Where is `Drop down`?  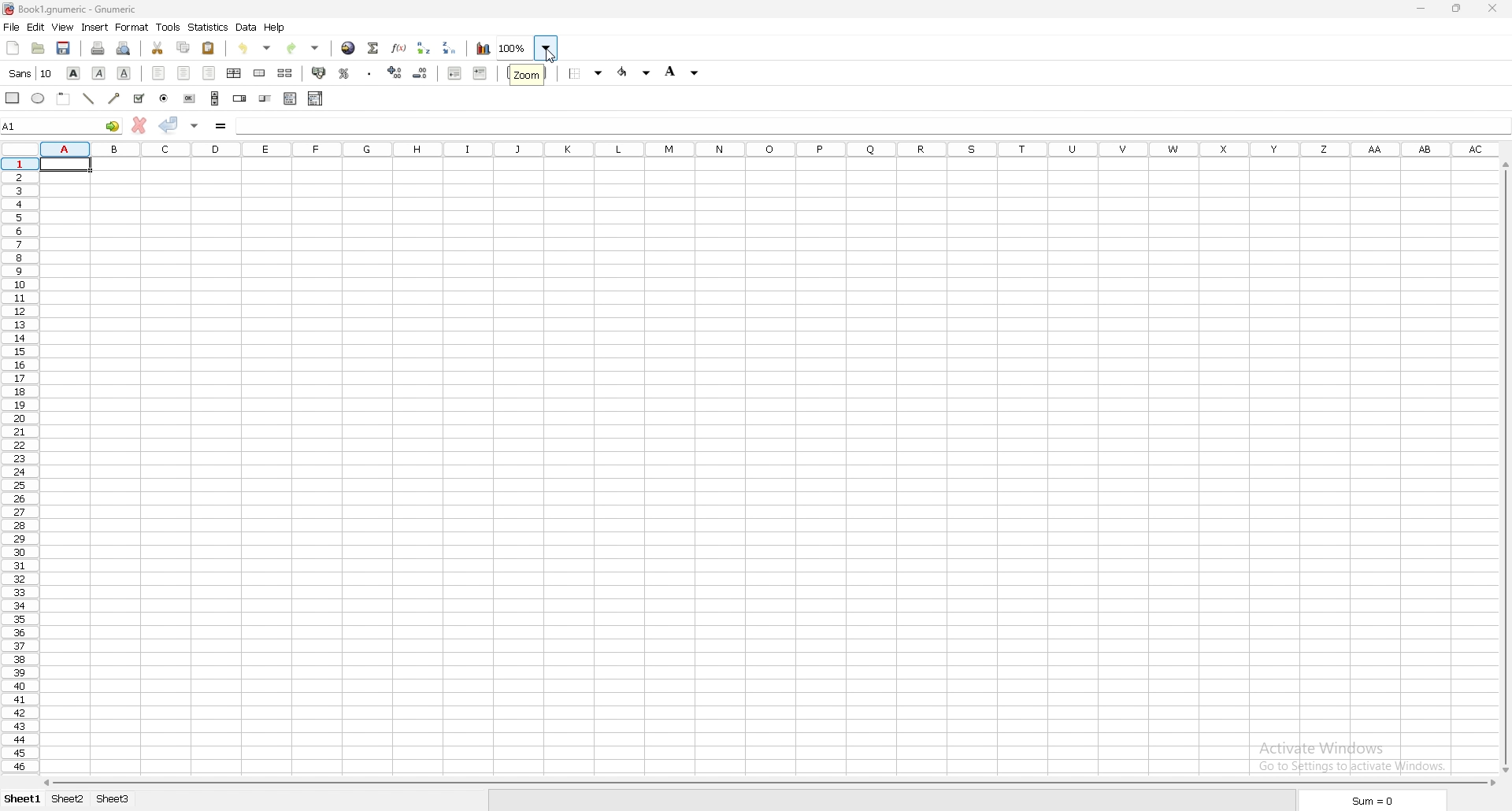
Drop down is located at coordinates (650, 73).